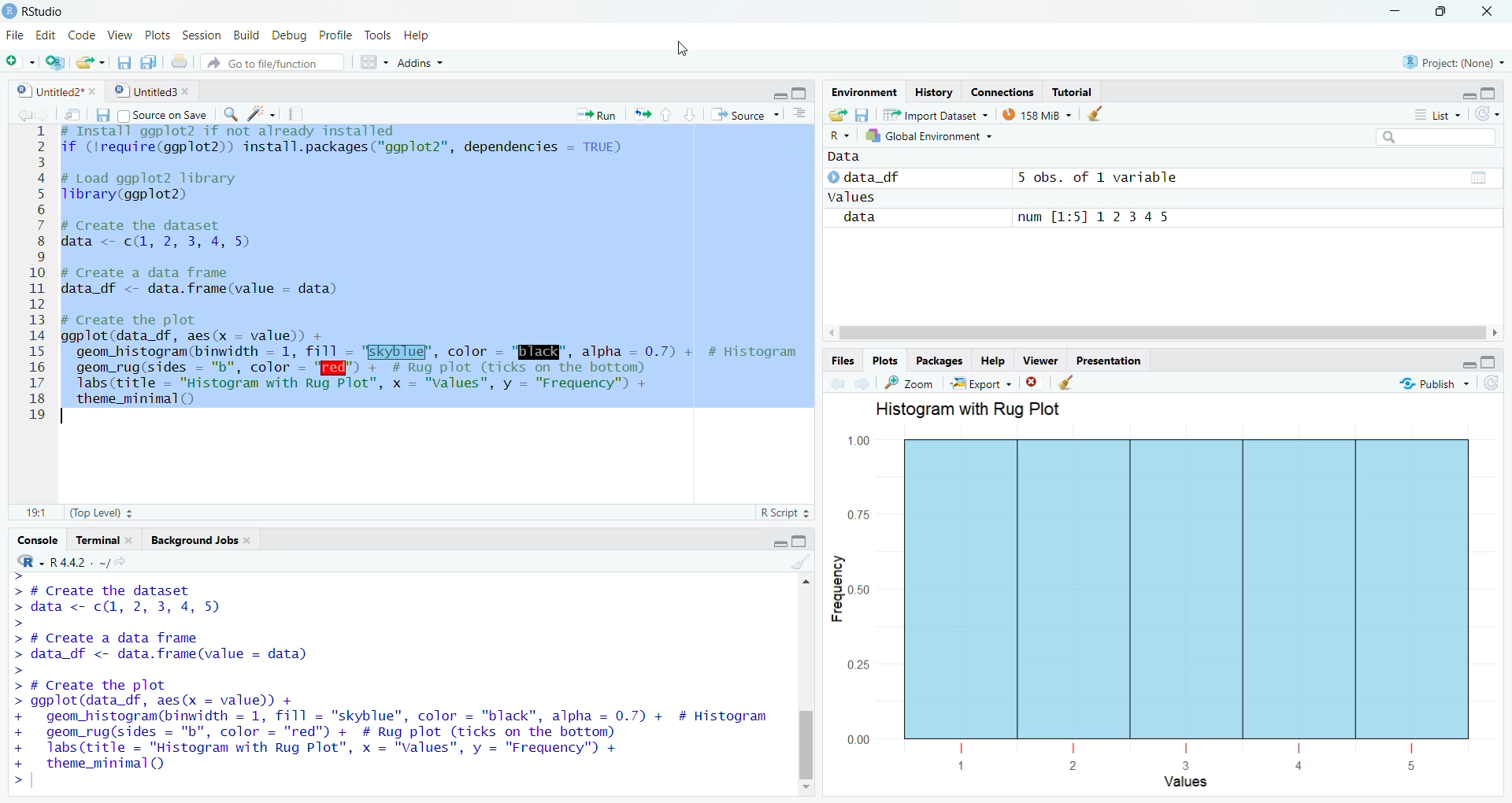 This screenshot has height=803, width=1512. I want to click on maximize/minimize, so click(1480, 91).